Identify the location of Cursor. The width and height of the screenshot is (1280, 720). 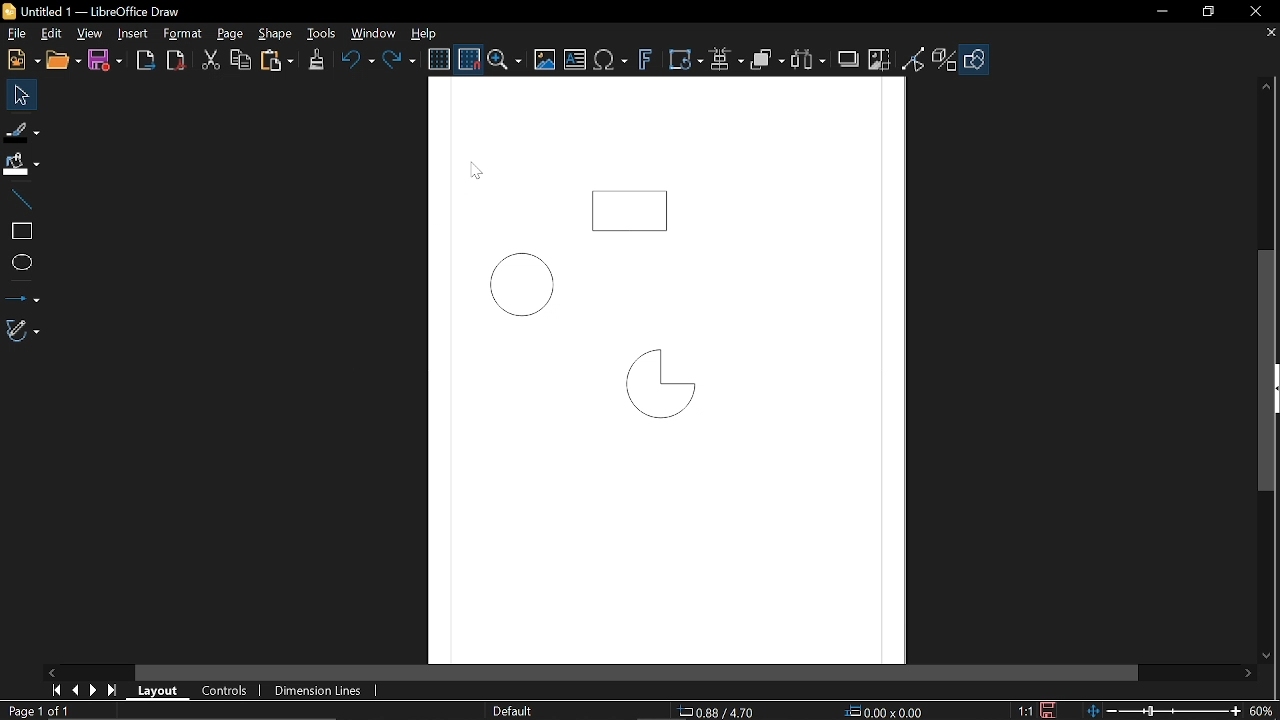
(472, 174).